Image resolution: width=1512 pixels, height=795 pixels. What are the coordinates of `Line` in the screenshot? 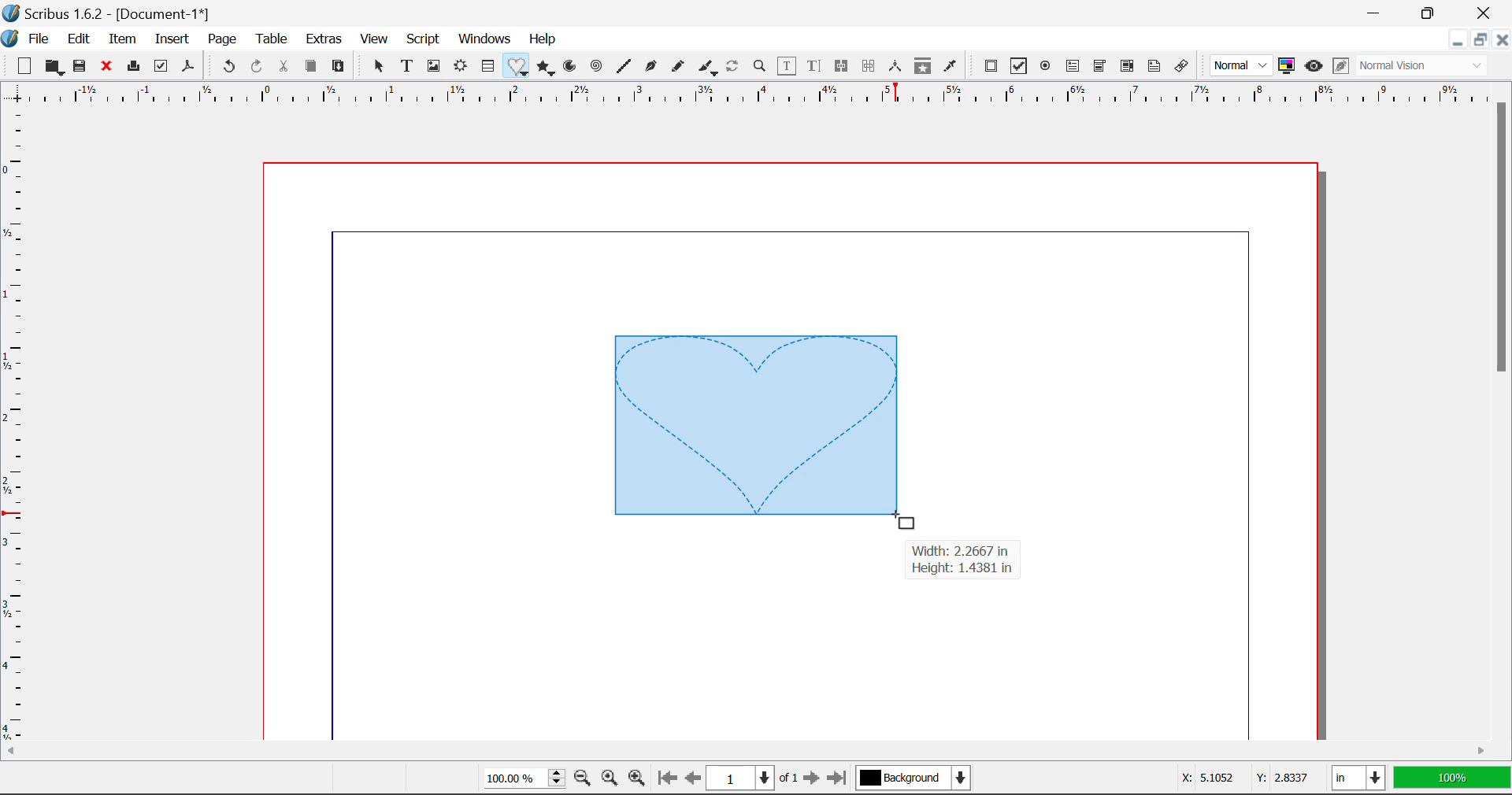 It's located at (625, 67).